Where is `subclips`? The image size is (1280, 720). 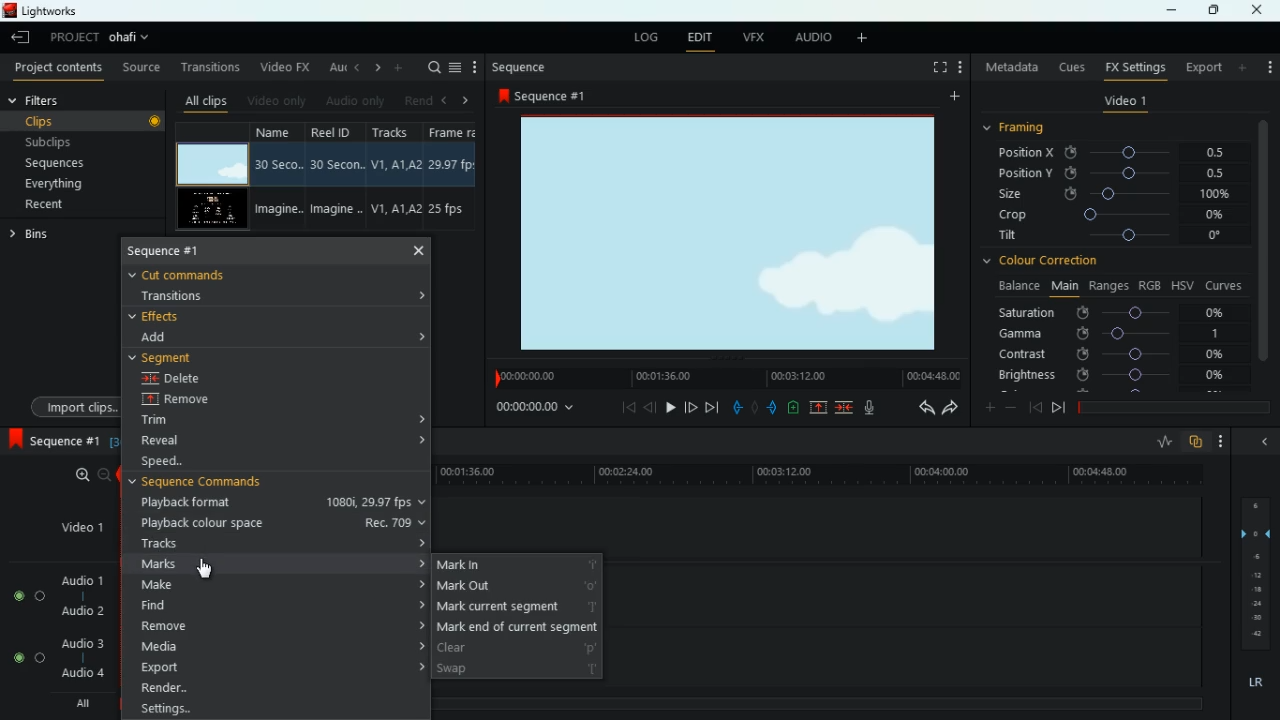 subclips is located at coordinates (54, 141).